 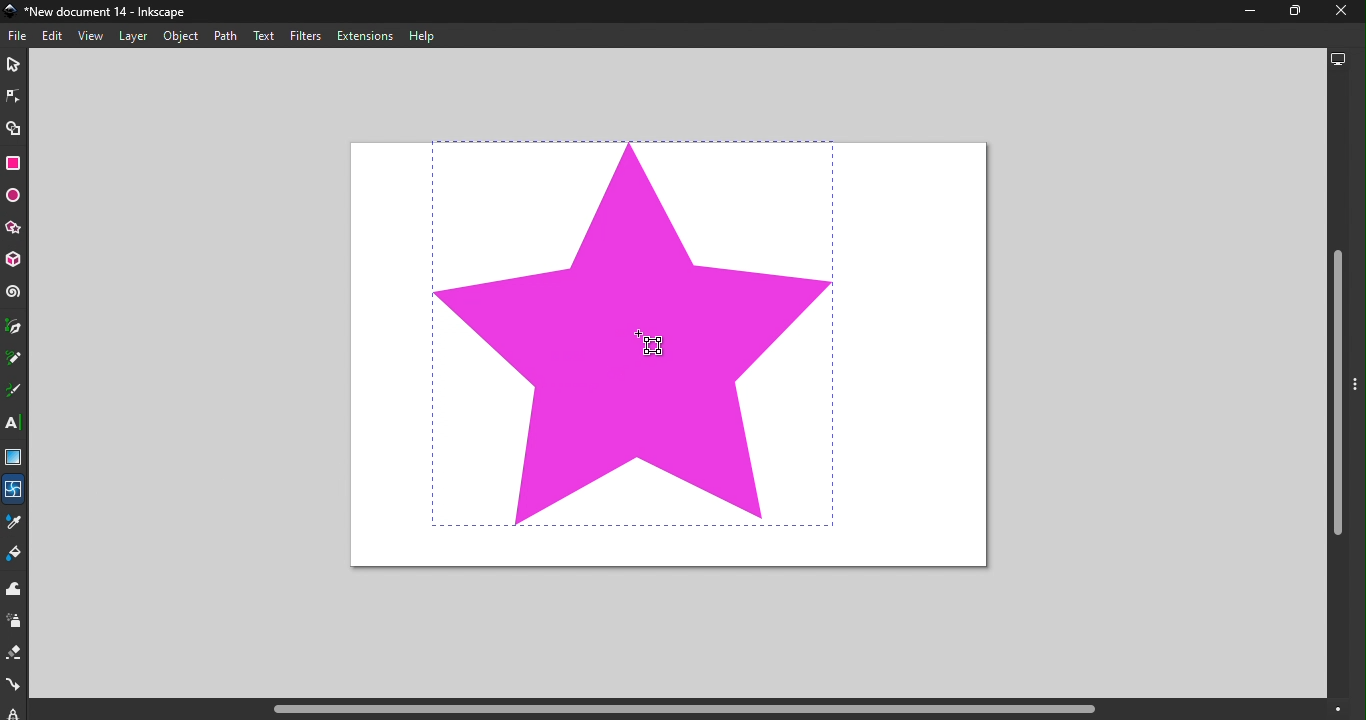 I want to click on 3D box tool, so click(x=15, y=262).